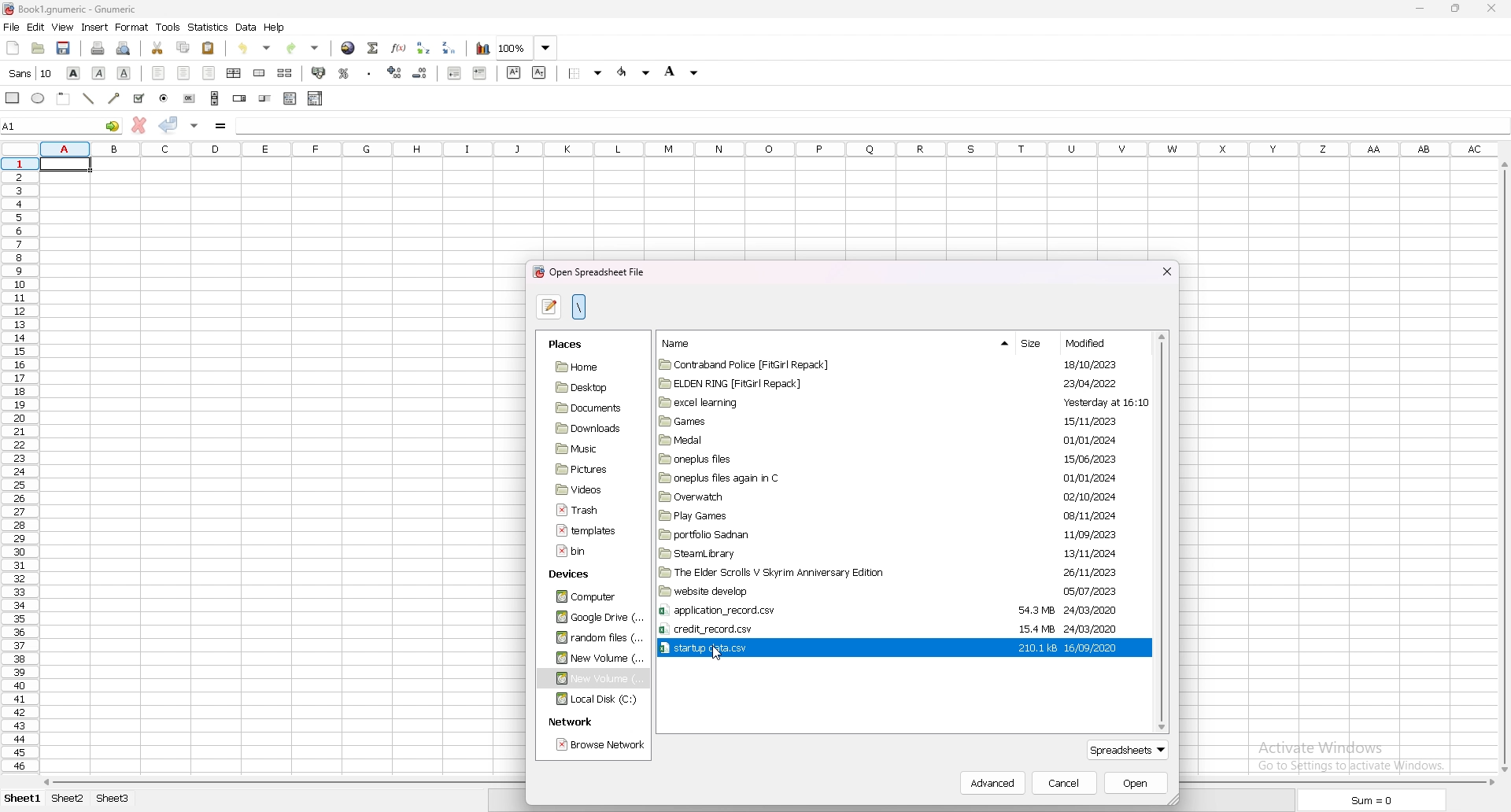 This screenshot has width=1511, height=812. Describe the element at coordinates (1489, 8) in the screenshot. I see `close` at that location.